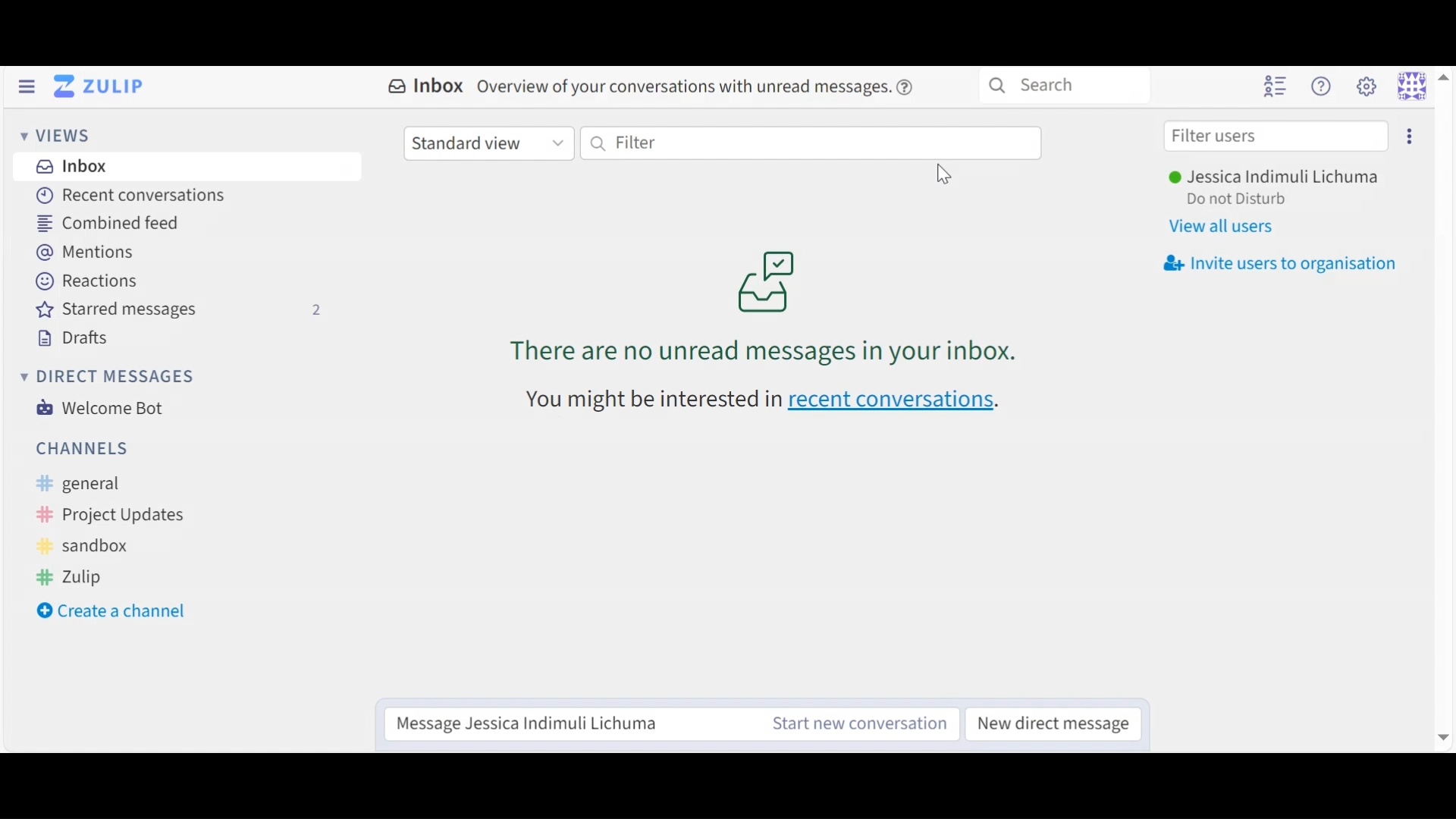 This screenshot has width=1456, height=819. What do you see at coordinates (809, 143) in the screenshot?
I see `Filter` at bounding box center [809, 143].